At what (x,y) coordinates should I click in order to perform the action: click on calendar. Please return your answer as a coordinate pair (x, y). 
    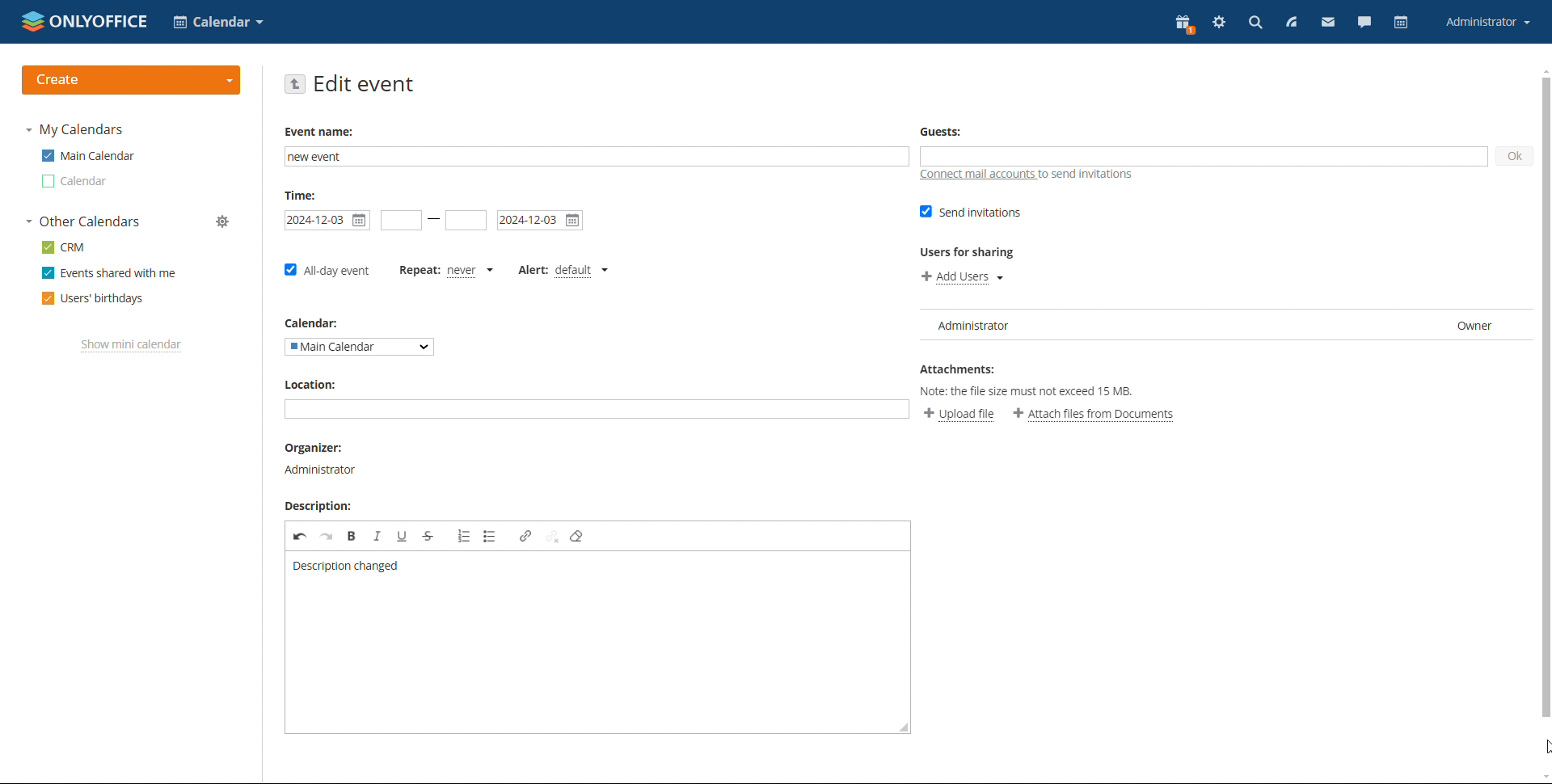
    Looking at the image, I should click on (1403, 23).